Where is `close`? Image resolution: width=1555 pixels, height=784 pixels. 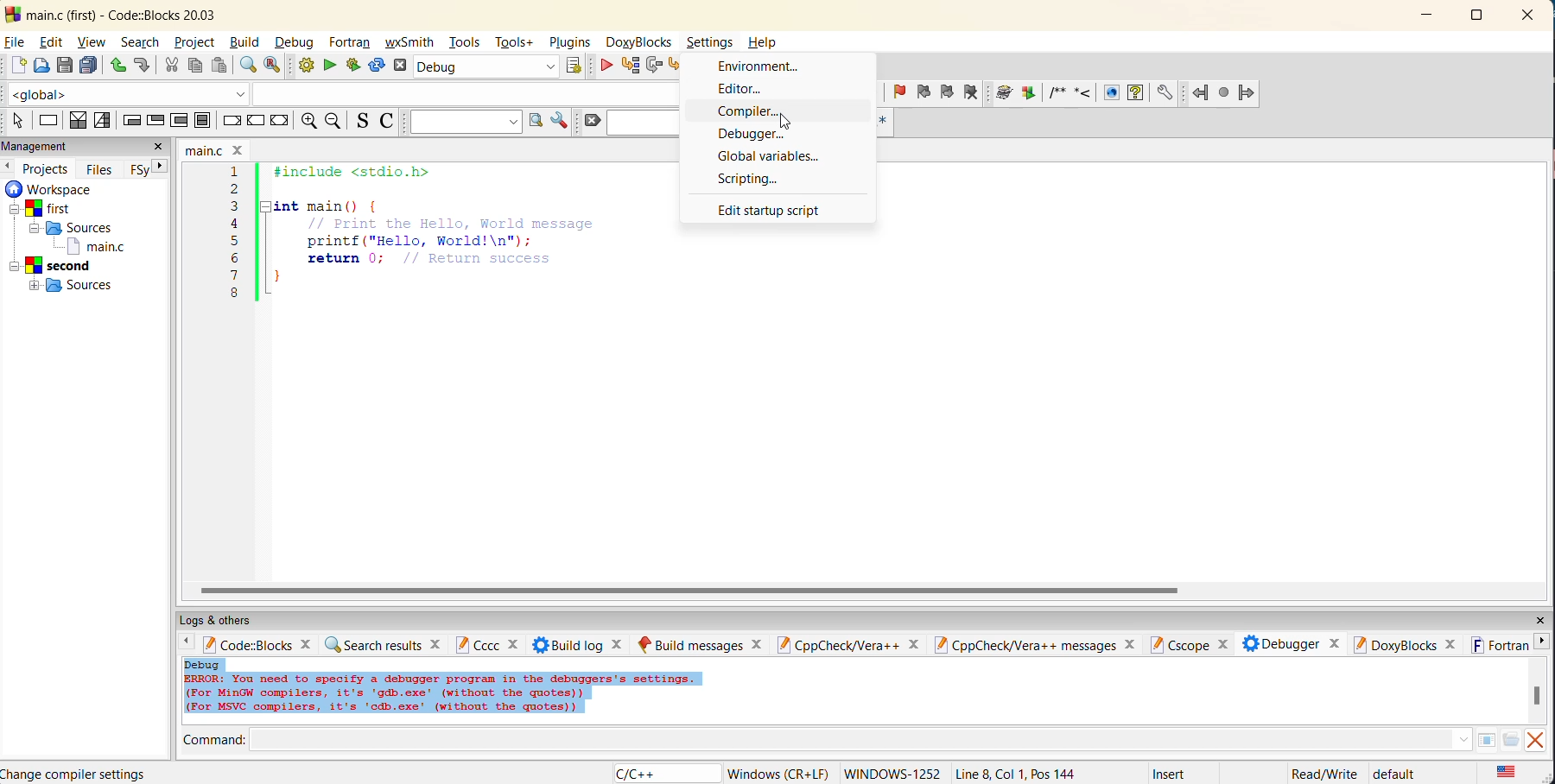
close is located at coordinates (158, 148).